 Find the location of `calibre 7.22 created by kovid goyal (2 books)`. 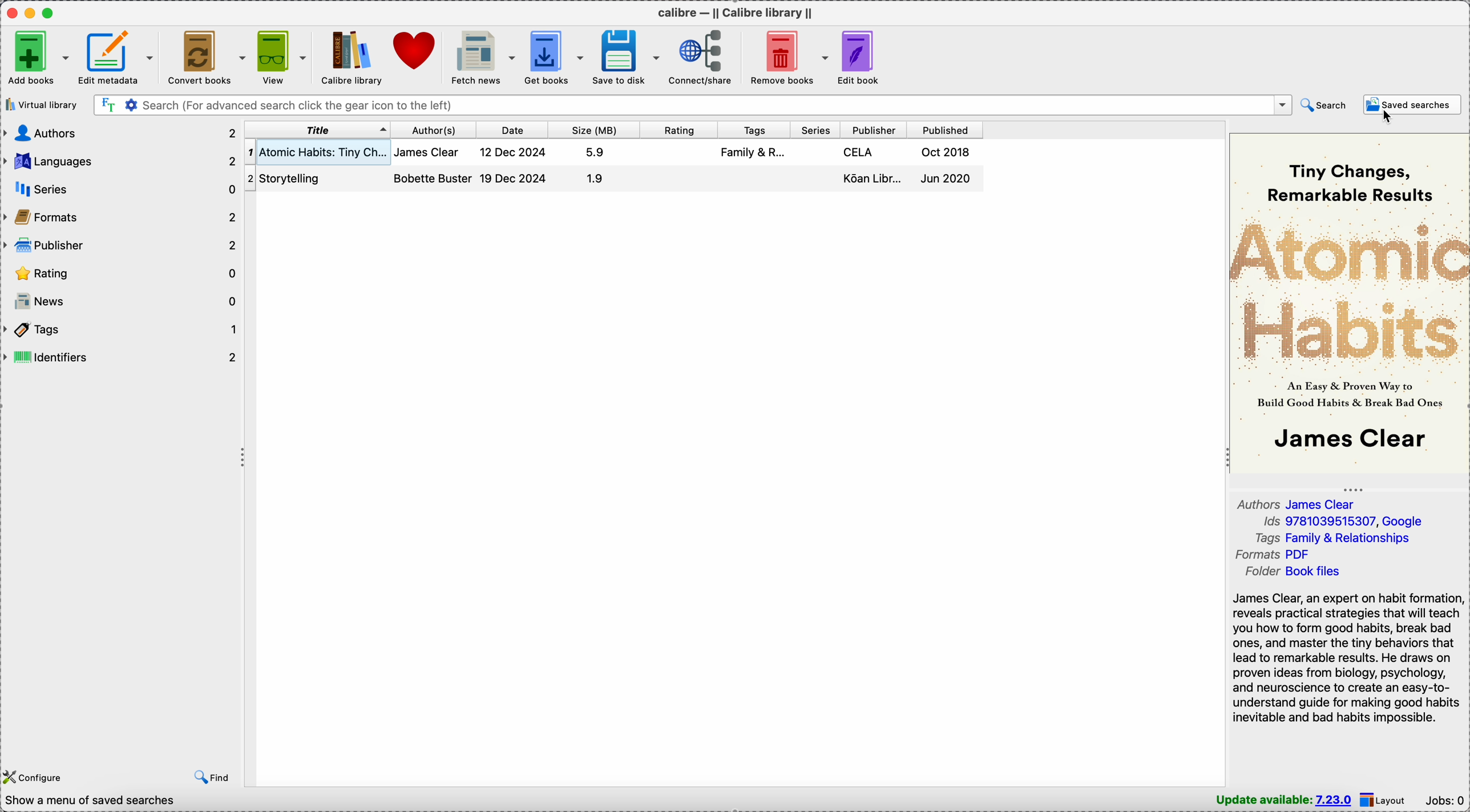

calibre 7.22 created by kovid goyal (2 books) is located at coordinates (131, 802).